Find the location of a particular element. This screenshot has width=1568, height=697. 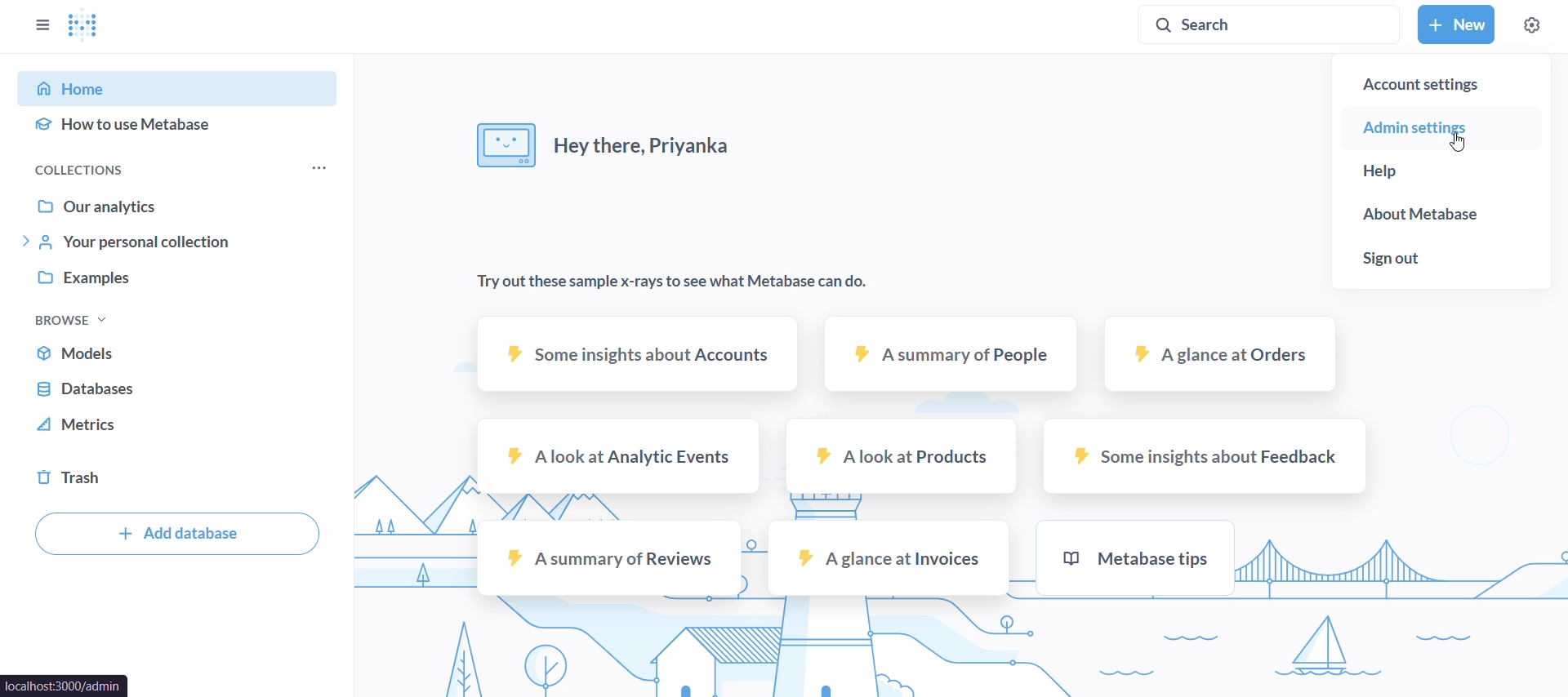

about metabase is located at coordinates (1446, 214).